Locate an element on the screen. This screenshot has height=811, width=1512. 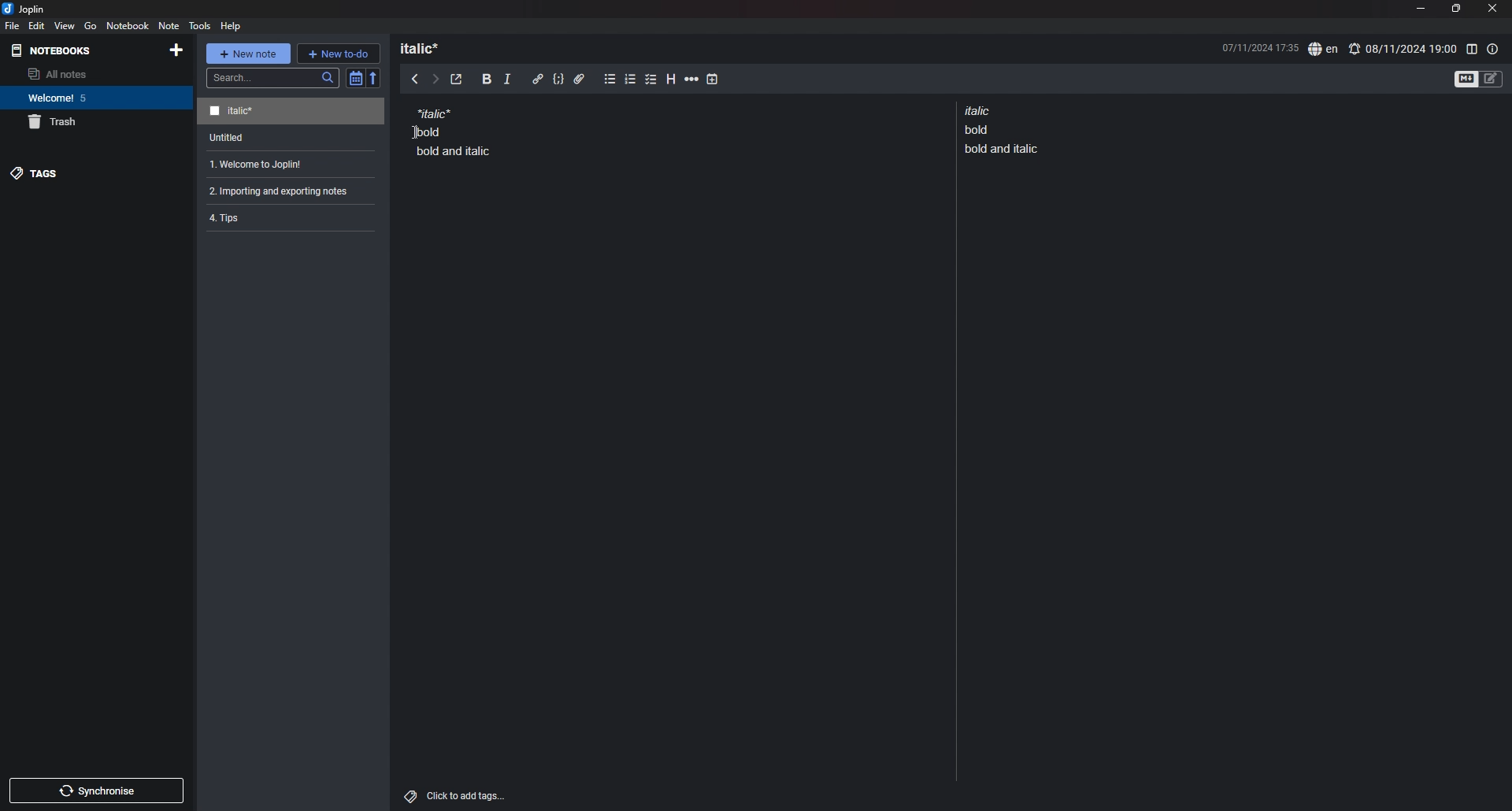
joplin is located at coordinates (24, 9).